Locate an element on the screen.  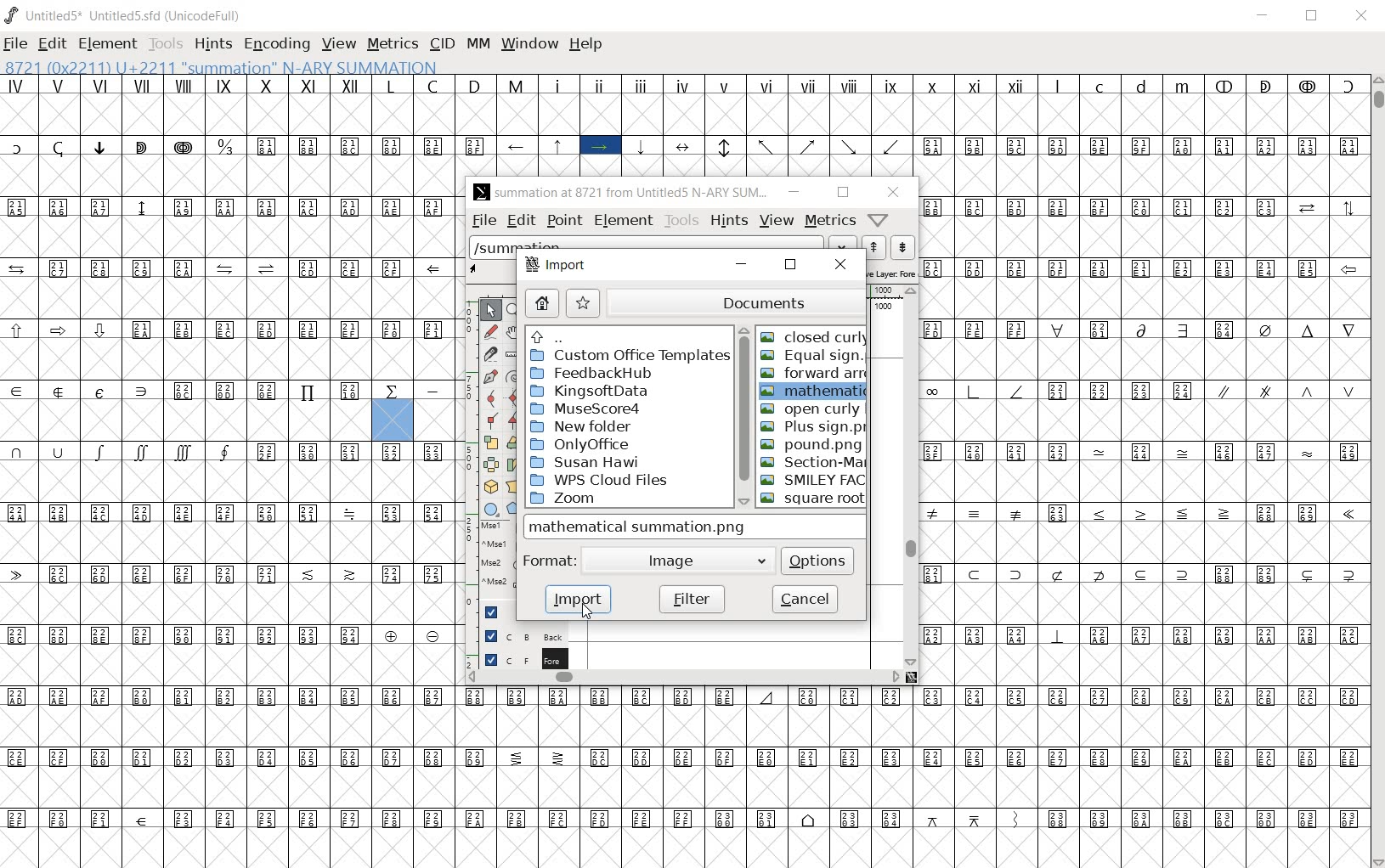
Rotate the selection is located at coordinates (513, 465).